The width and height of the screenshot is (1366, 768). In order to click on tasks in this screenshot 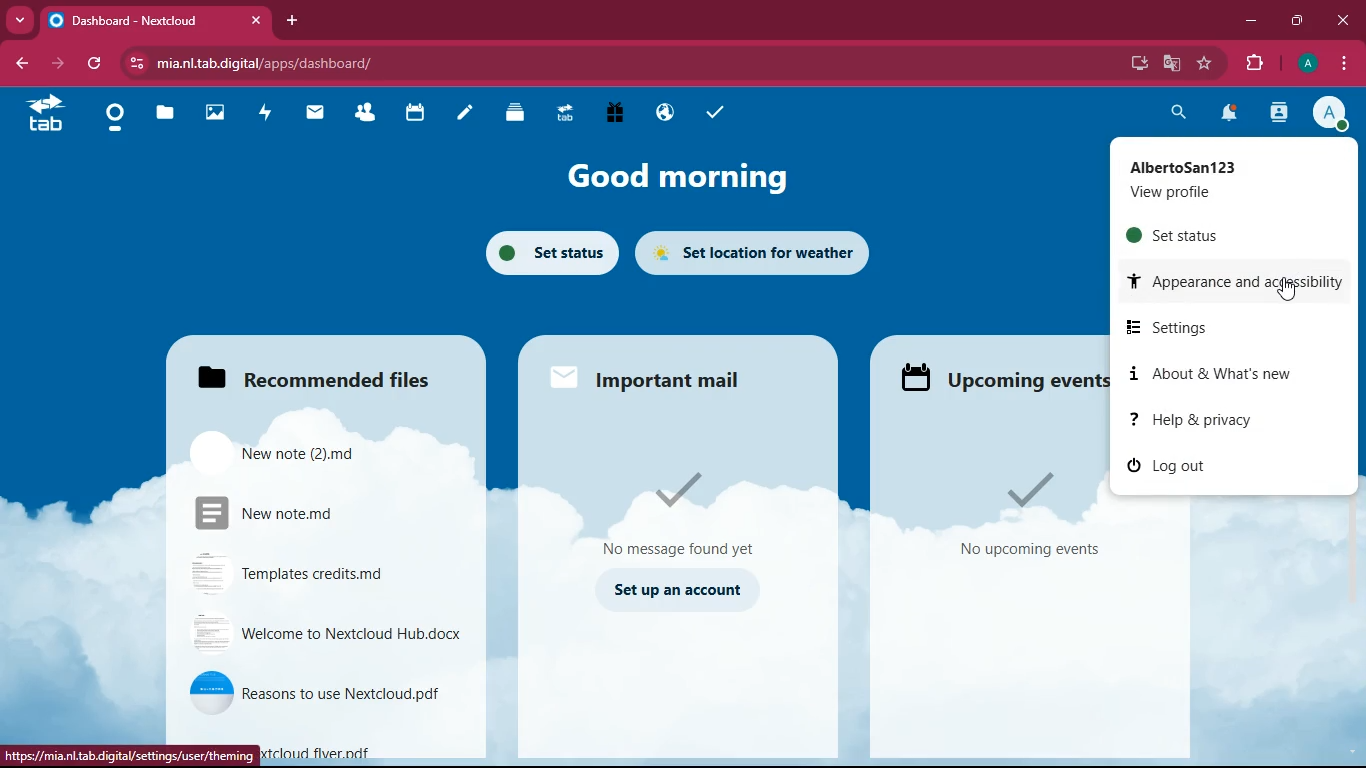, I will do `click(711, 109)`.